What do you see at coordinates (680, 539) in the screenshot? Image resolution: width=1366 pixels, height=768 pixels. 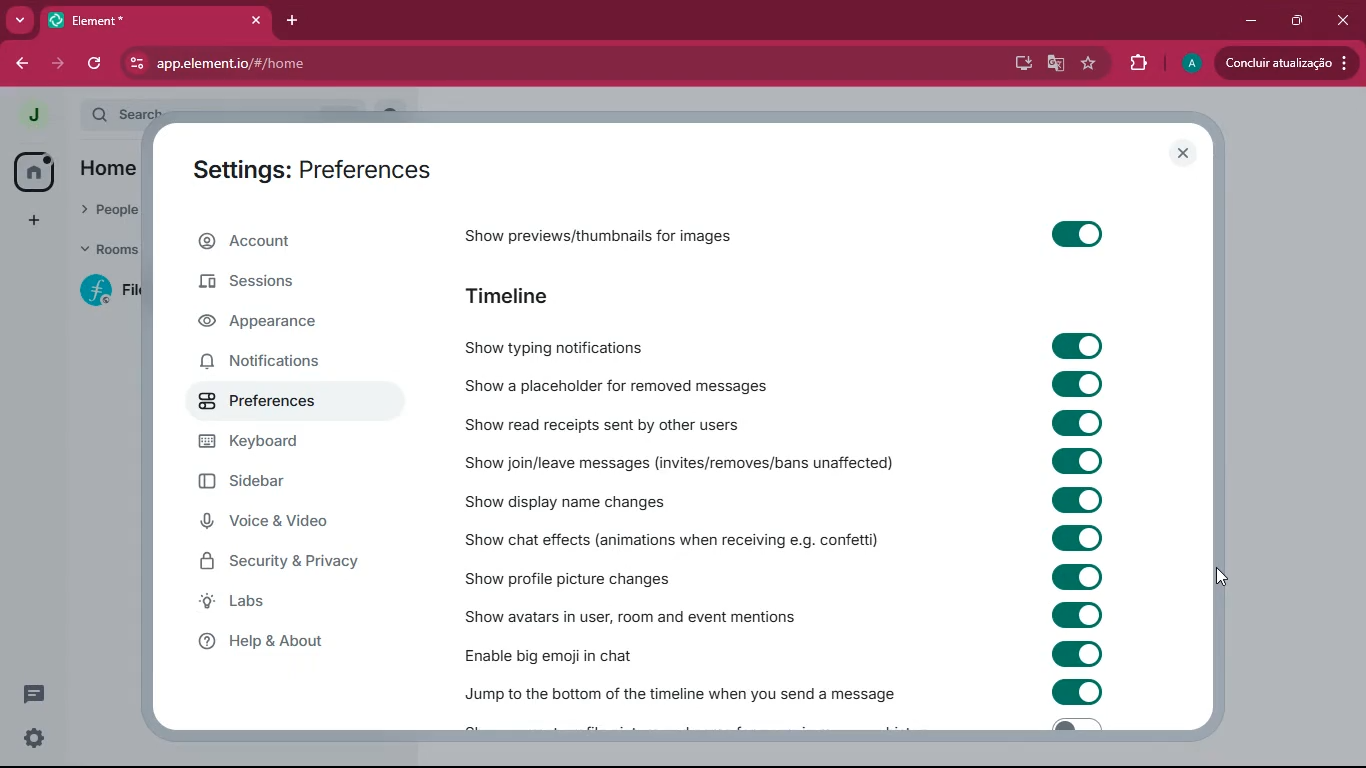 I see `show chat effects (animations when receiving e.g. confetti)` at bounding box center [680, 539].